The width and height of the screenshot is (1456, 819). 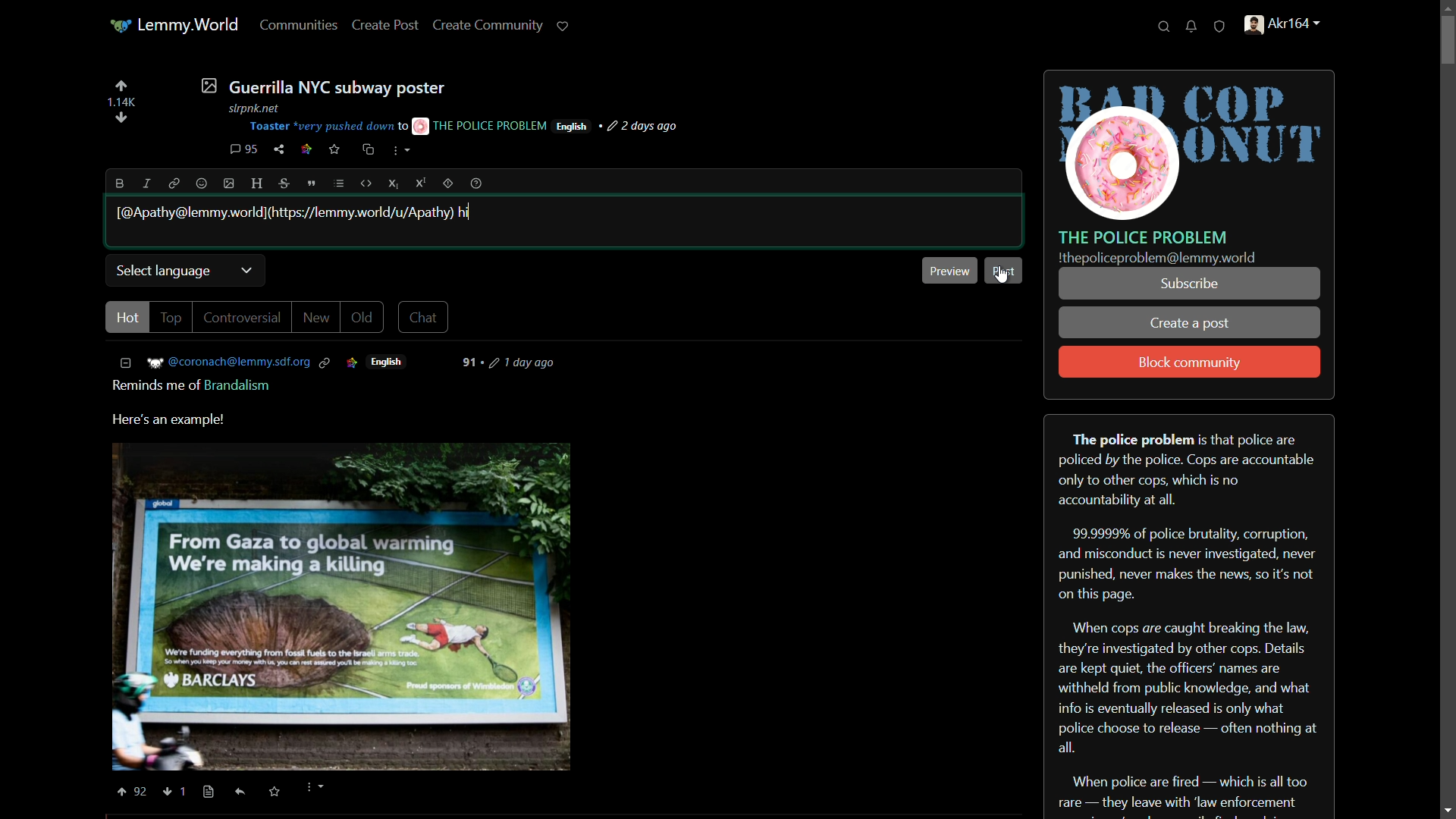 I want to click on bold, so click(x=121, y=184).